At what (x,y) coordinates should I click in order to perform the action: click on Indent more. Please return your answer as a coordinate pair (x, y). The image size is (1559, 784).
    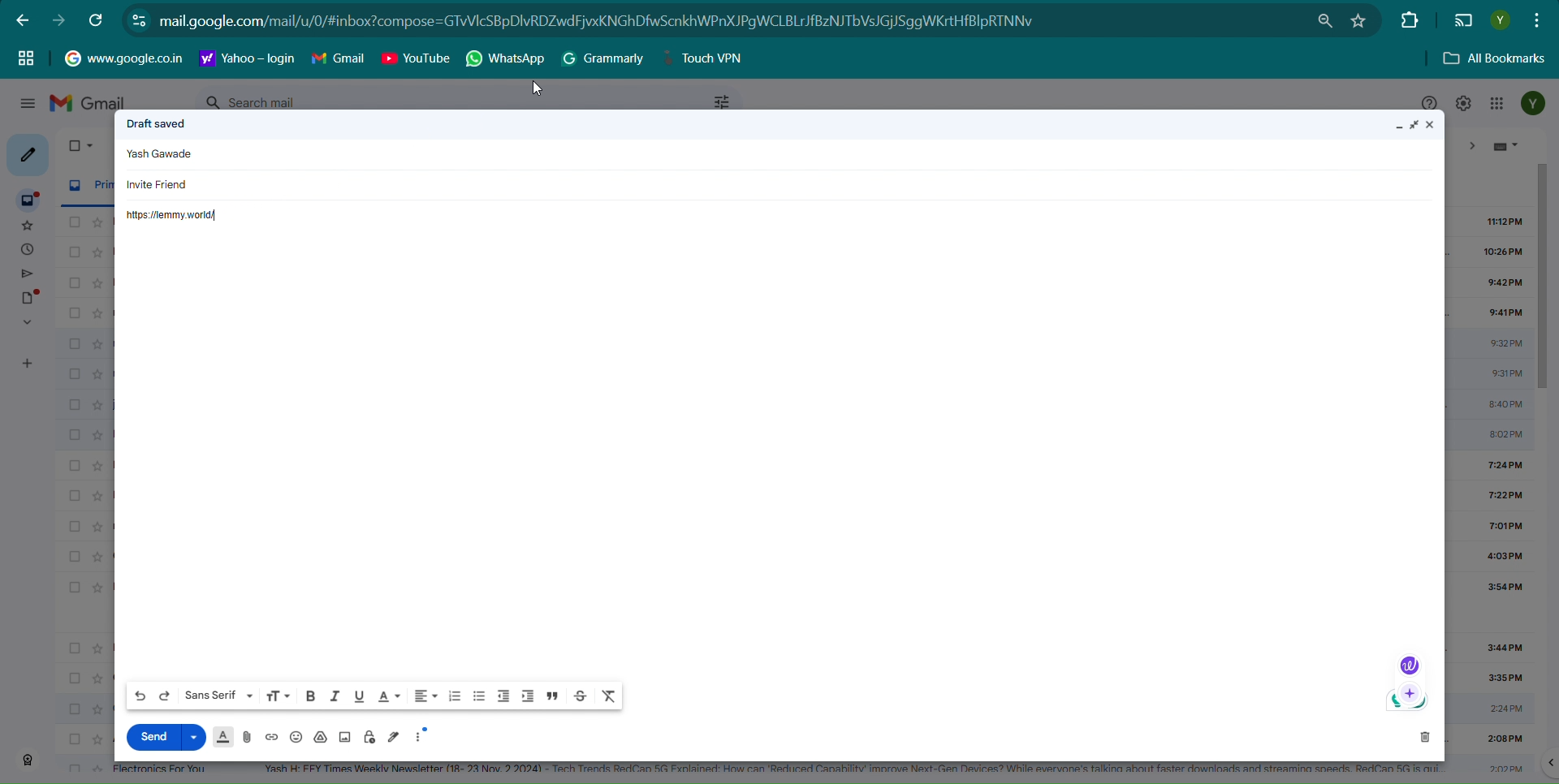
    Looking at the image, I should click on (527, 696).